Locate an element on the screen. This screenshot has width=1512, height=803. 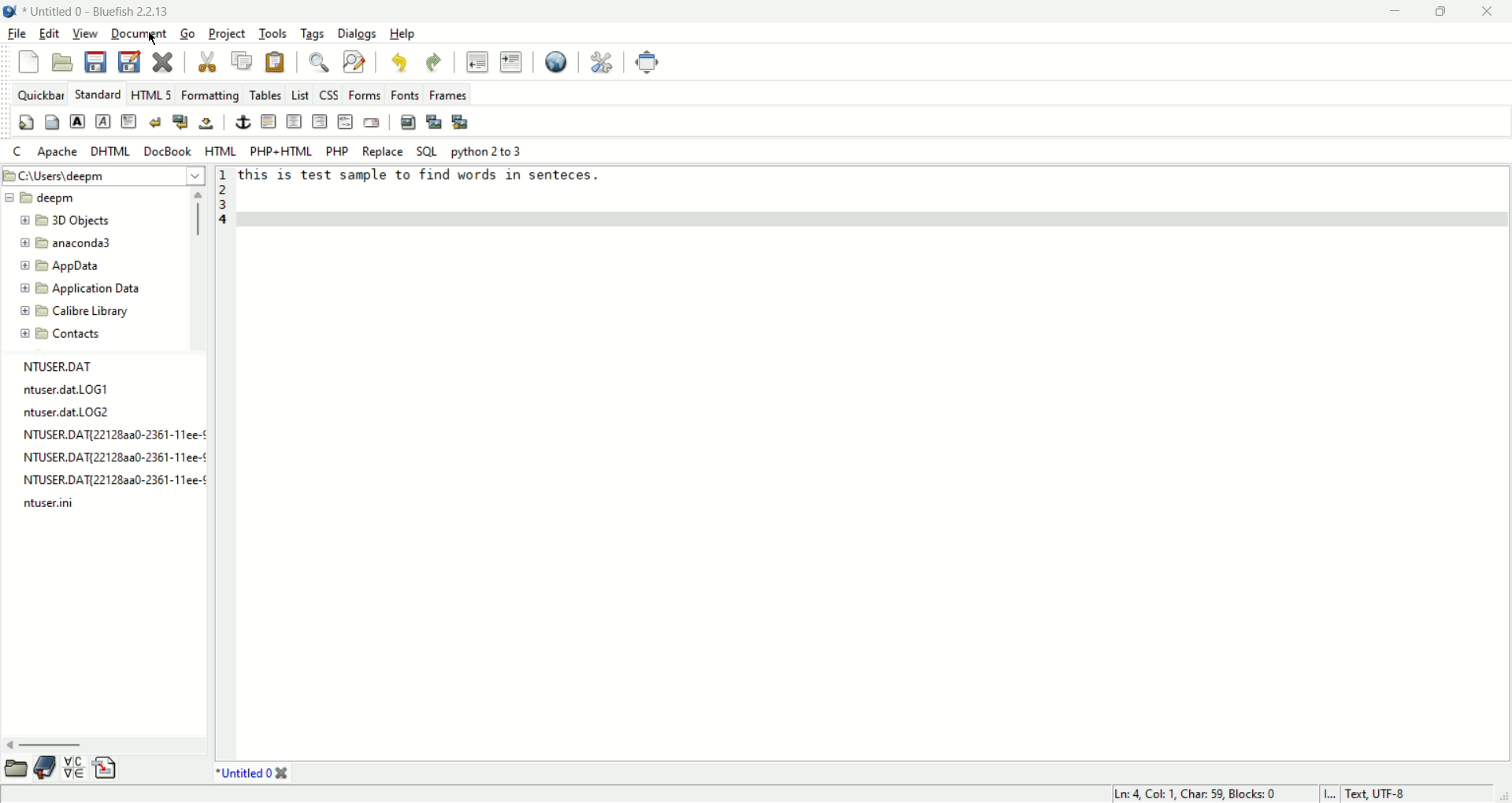
cut is located at coordinates (208, 62).